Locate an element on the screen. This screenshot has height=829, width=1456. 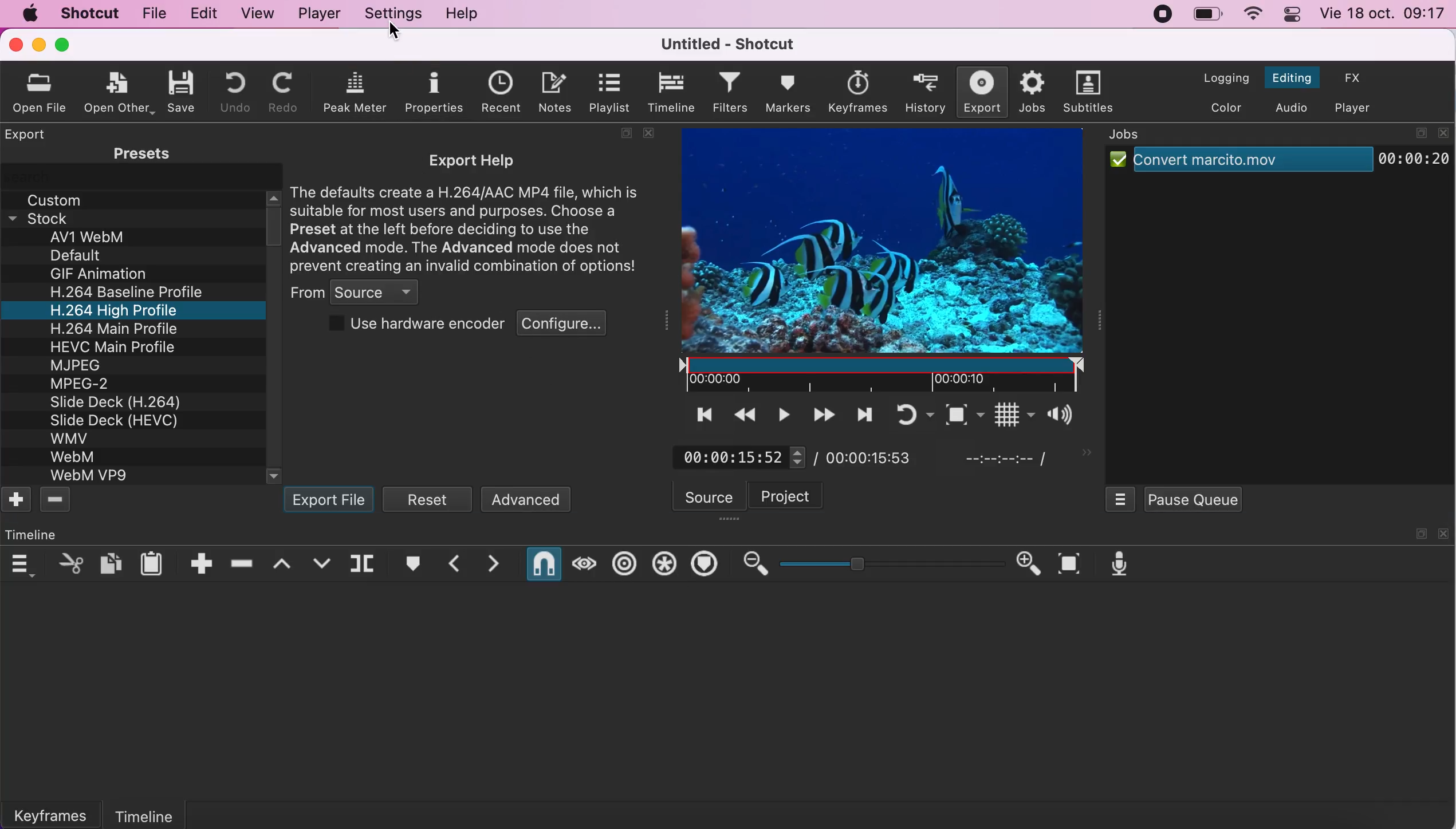
MJPEG is located at coordinates (80, 364).